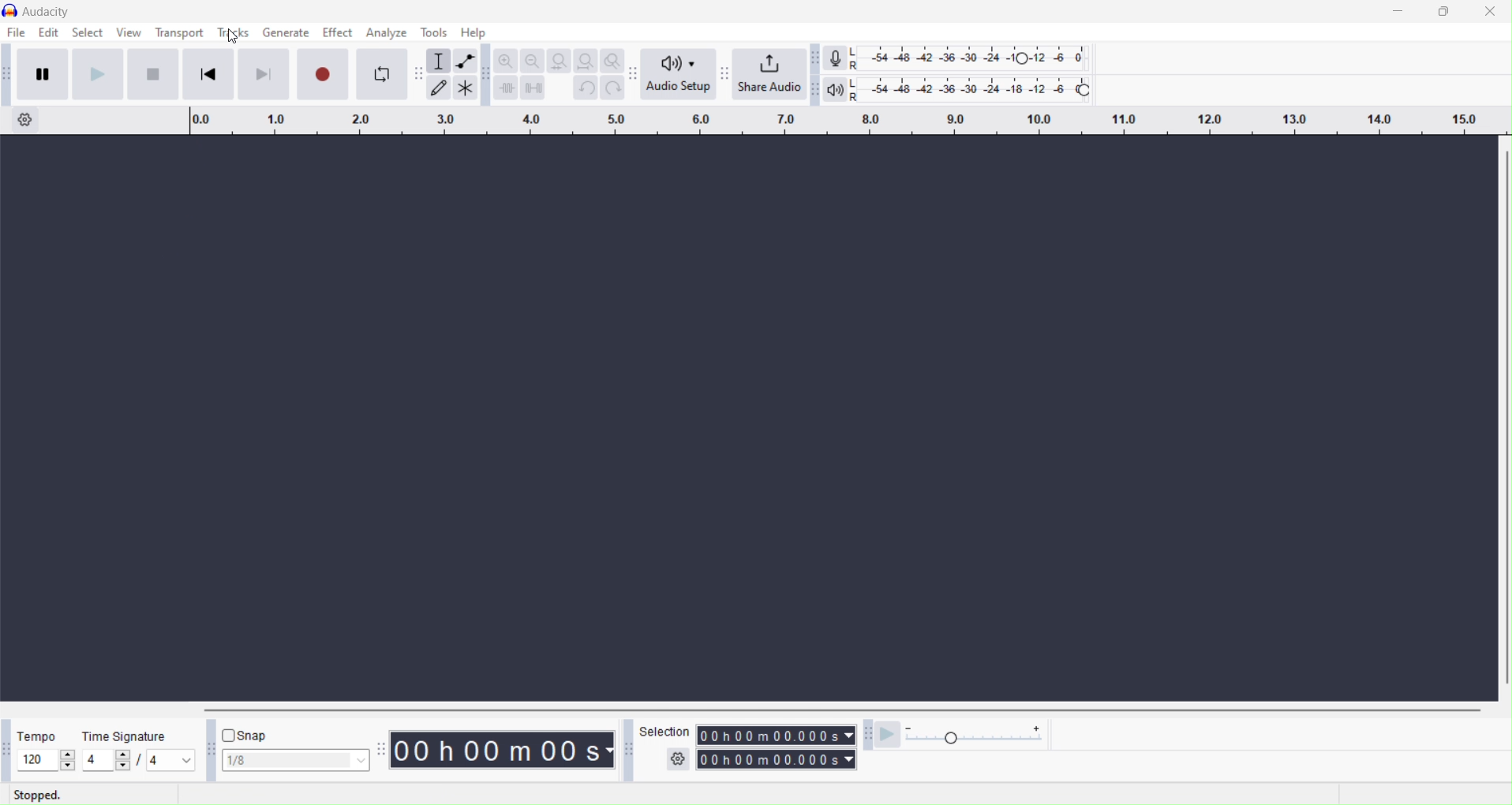  I want to click on Minimize, so click(1400, 11).